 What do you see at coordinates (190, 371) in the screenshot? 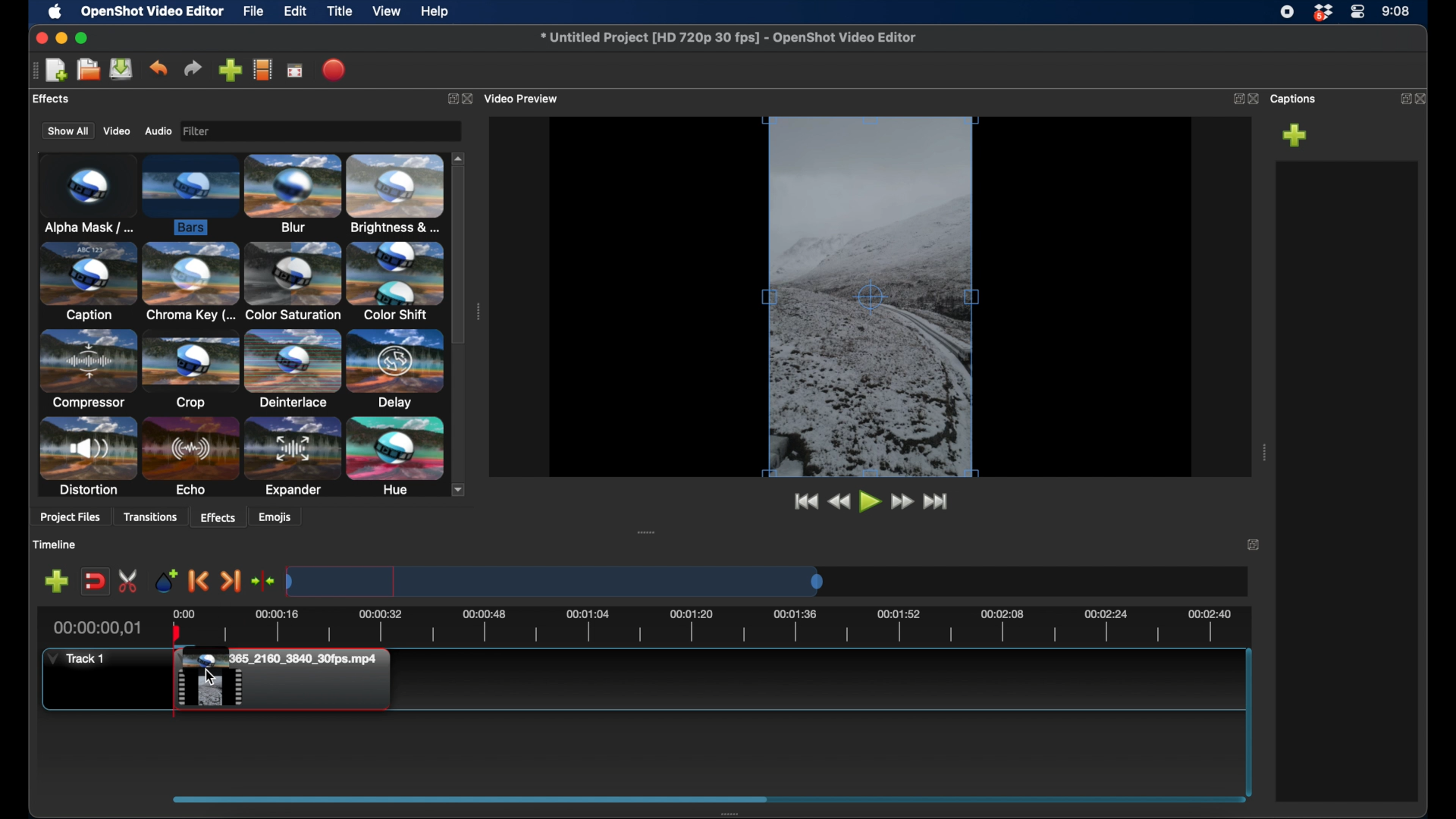
I see `crop` at bounding box center [190, 371].